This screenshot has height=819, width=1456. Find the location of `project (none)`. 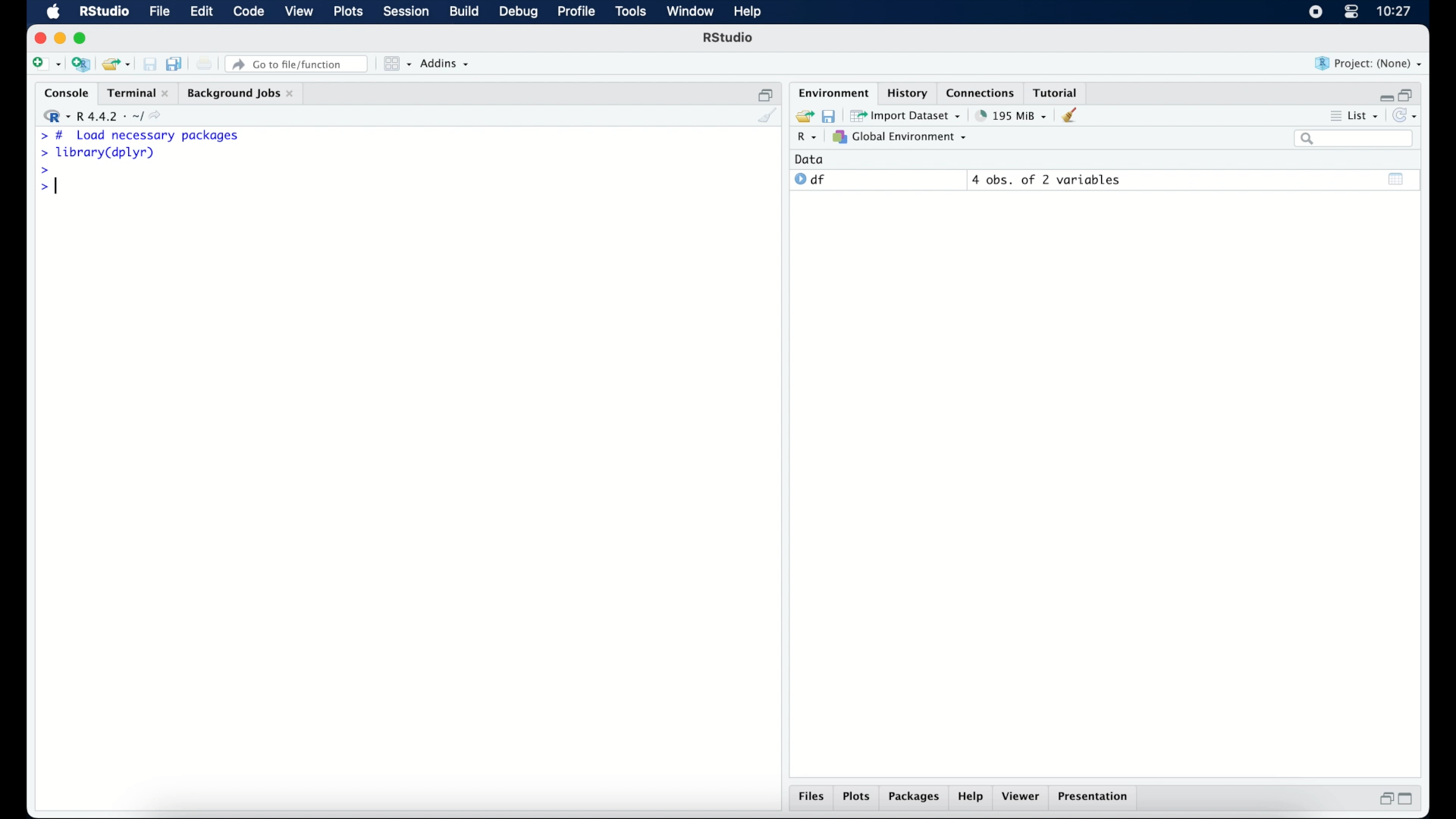

project (none) is located at coordinates (1370, 64).